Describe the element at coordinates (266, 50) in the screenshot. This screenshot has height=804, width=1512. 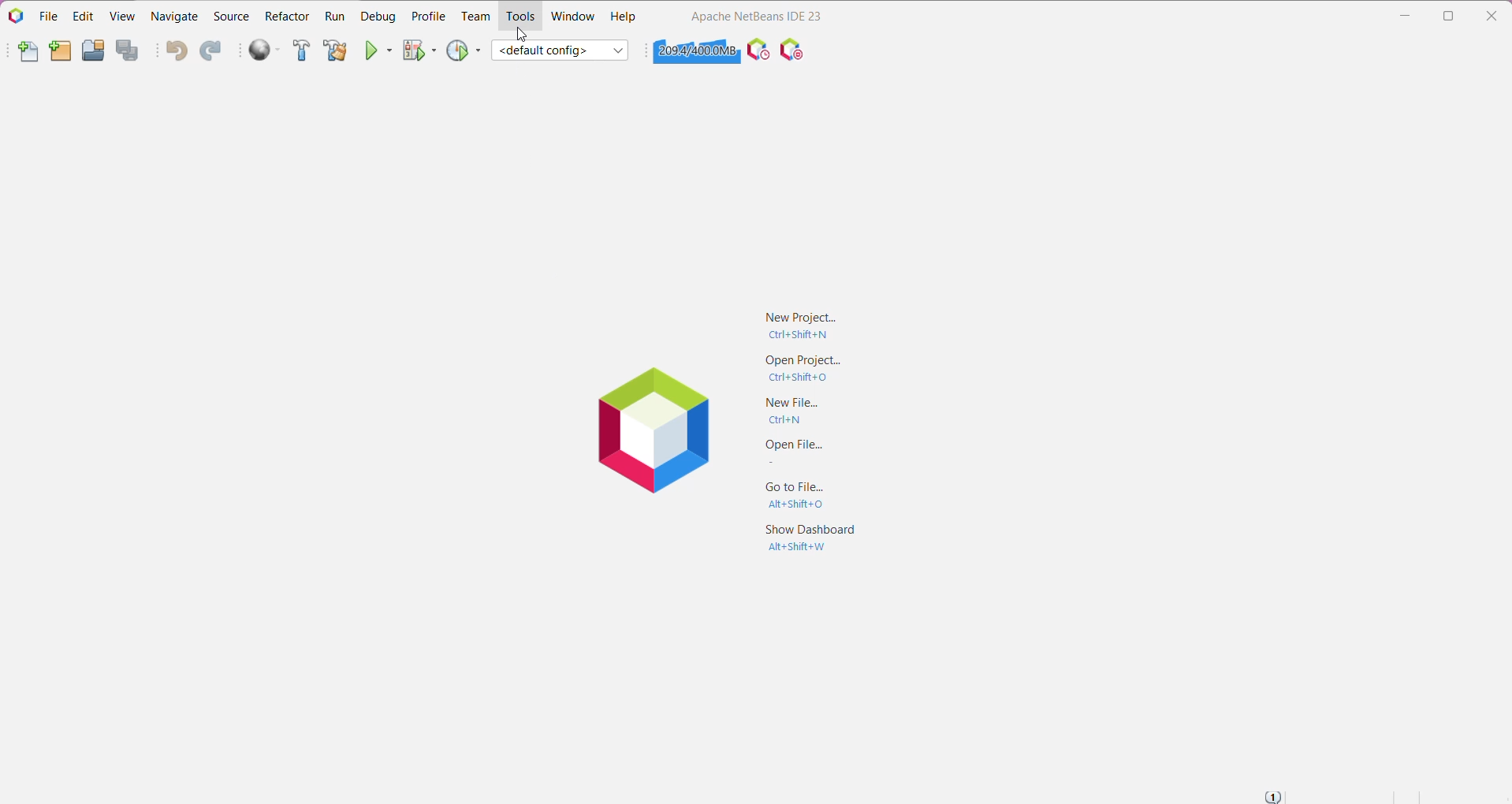
I see `Run All` at that location.